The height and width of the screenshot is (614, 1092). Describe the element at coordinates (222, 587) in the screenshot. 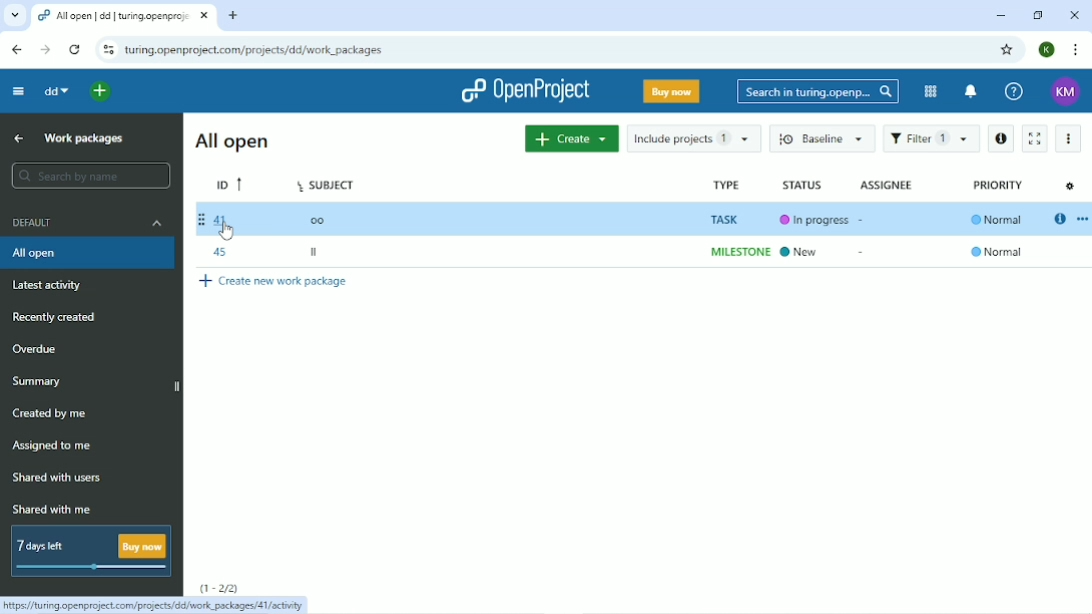

I see `(1-2/2)` at that location.